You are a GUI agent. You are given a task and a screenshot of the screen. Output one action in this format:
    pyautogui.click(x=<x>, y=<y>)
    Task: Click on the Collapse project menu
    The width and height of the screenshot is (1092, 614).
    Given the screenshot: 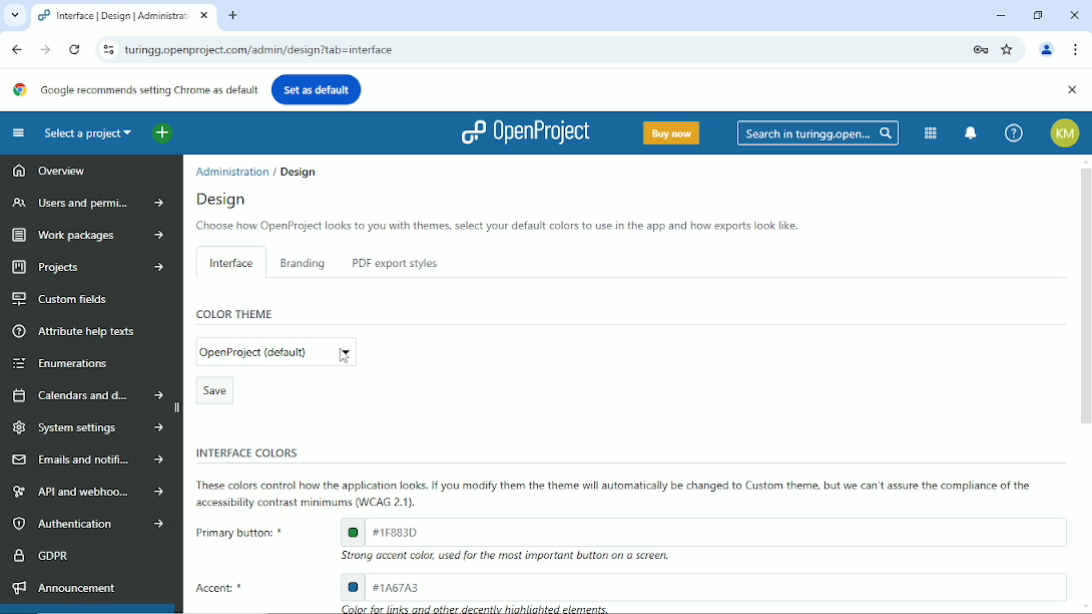 What is the action you would take?
    pyautogui.click(x=18, y=133)
    